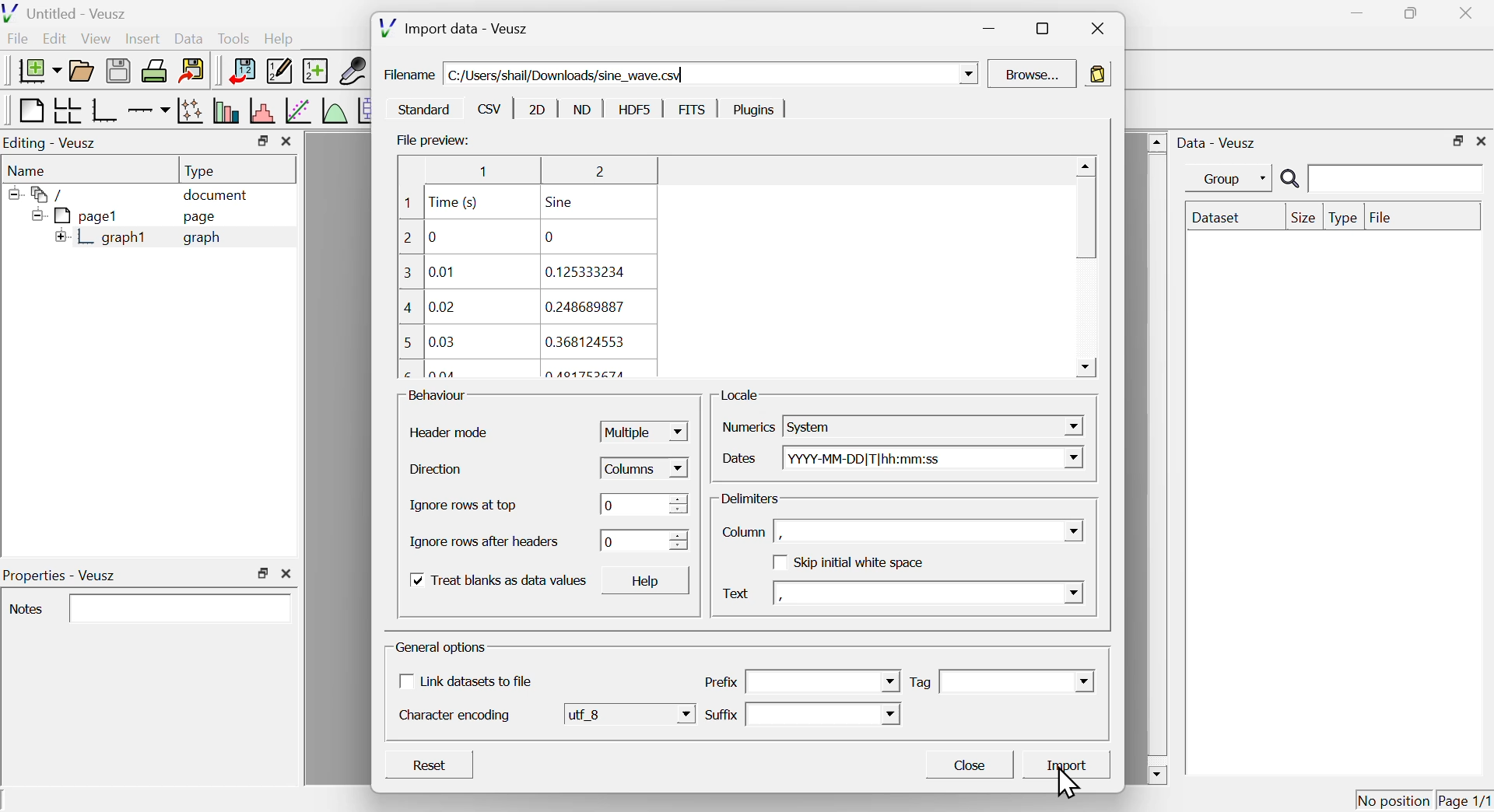 The width and height of the screenshot is (1494, 812). What do you see at coordinates (479, 507) in the screenshot?
I see `Ignore rows at top` at bounding box center [479, 507].